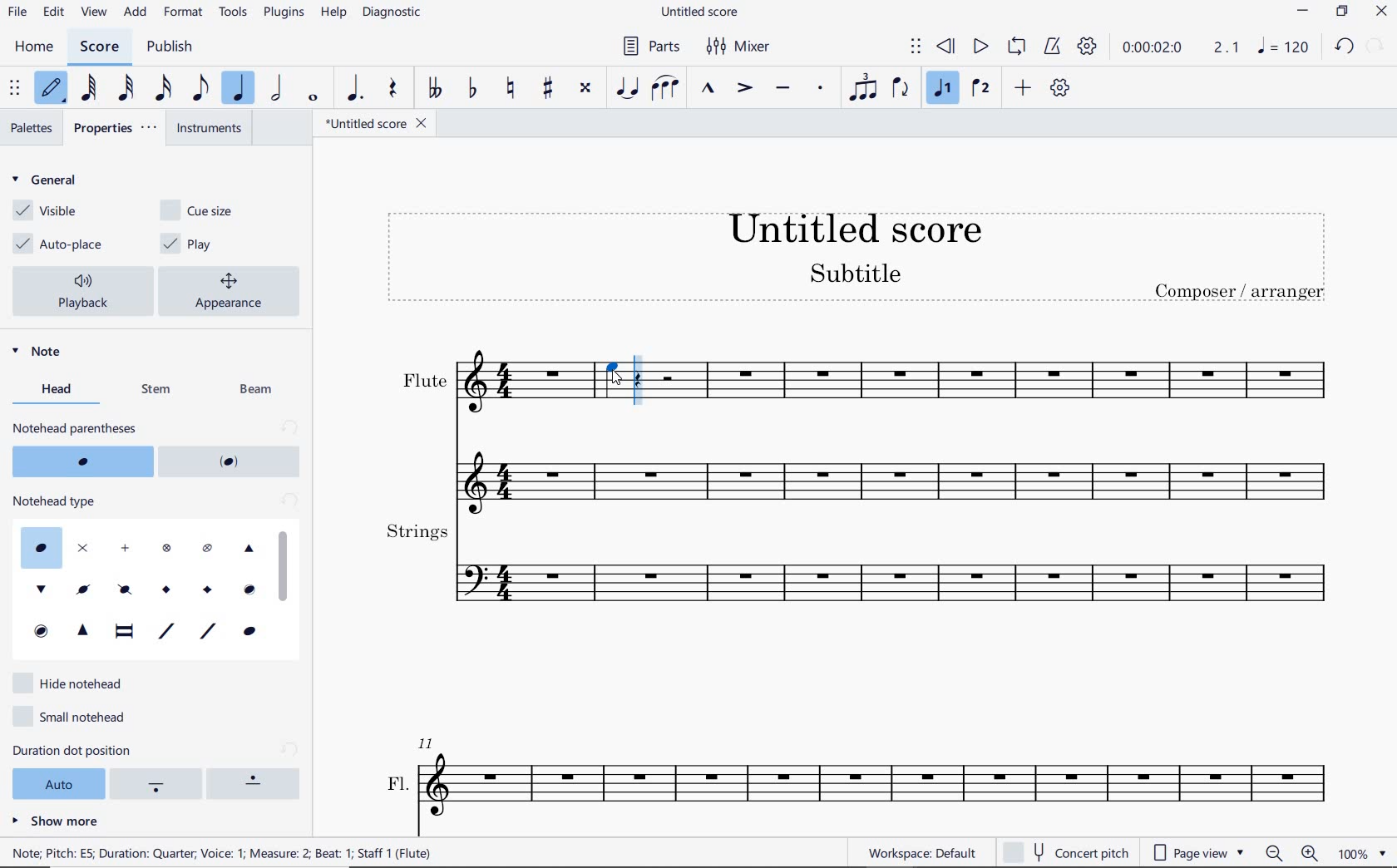 This screenshot has width=1397, height=868. What do you see at coordinates (16, 12) in the screenshot?
I see `file` at bounding box center [16, 12].